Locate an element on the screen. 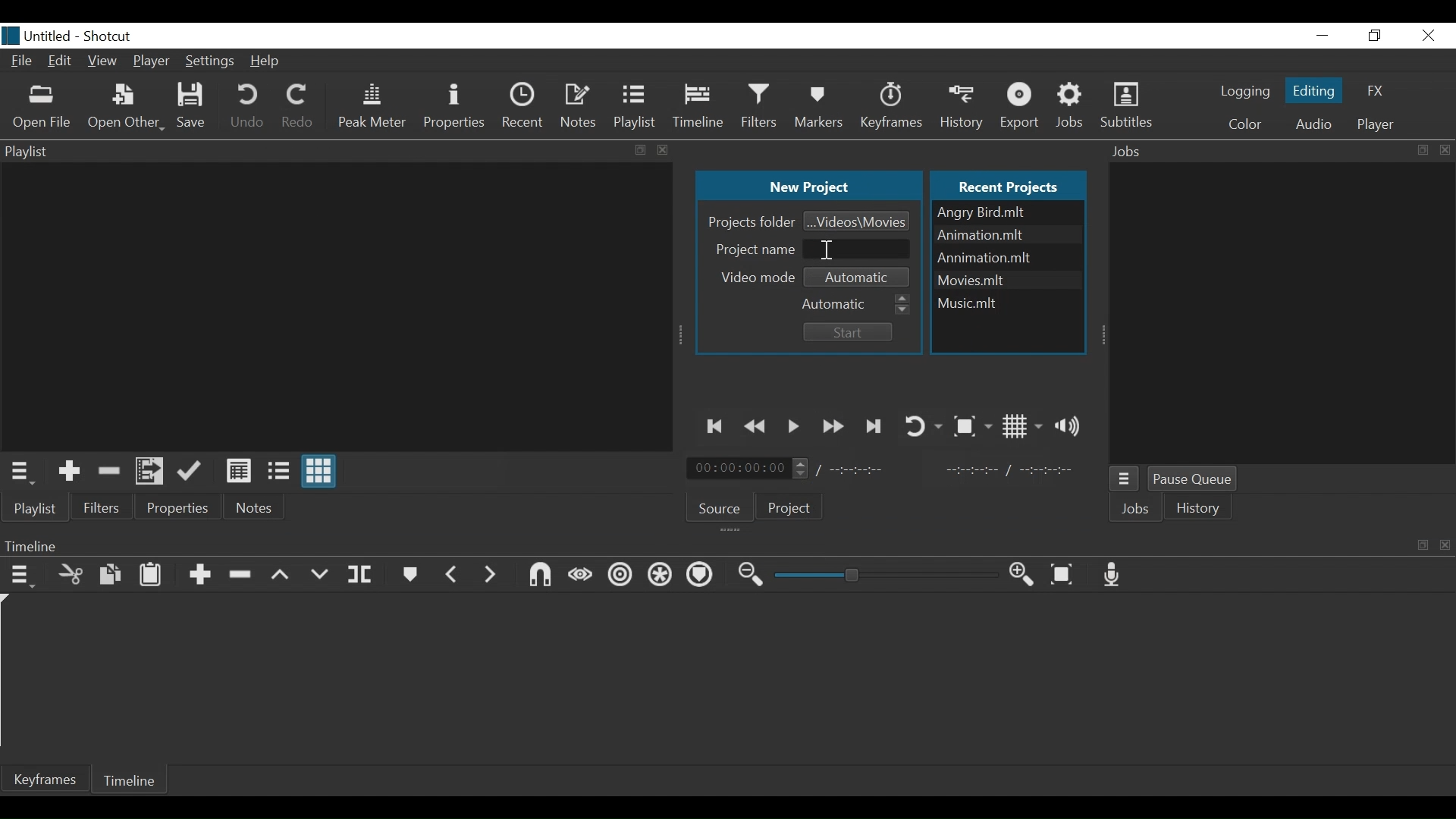 This screenshot has width=1456, height=819. Browse is located at coordinates (857, 220).